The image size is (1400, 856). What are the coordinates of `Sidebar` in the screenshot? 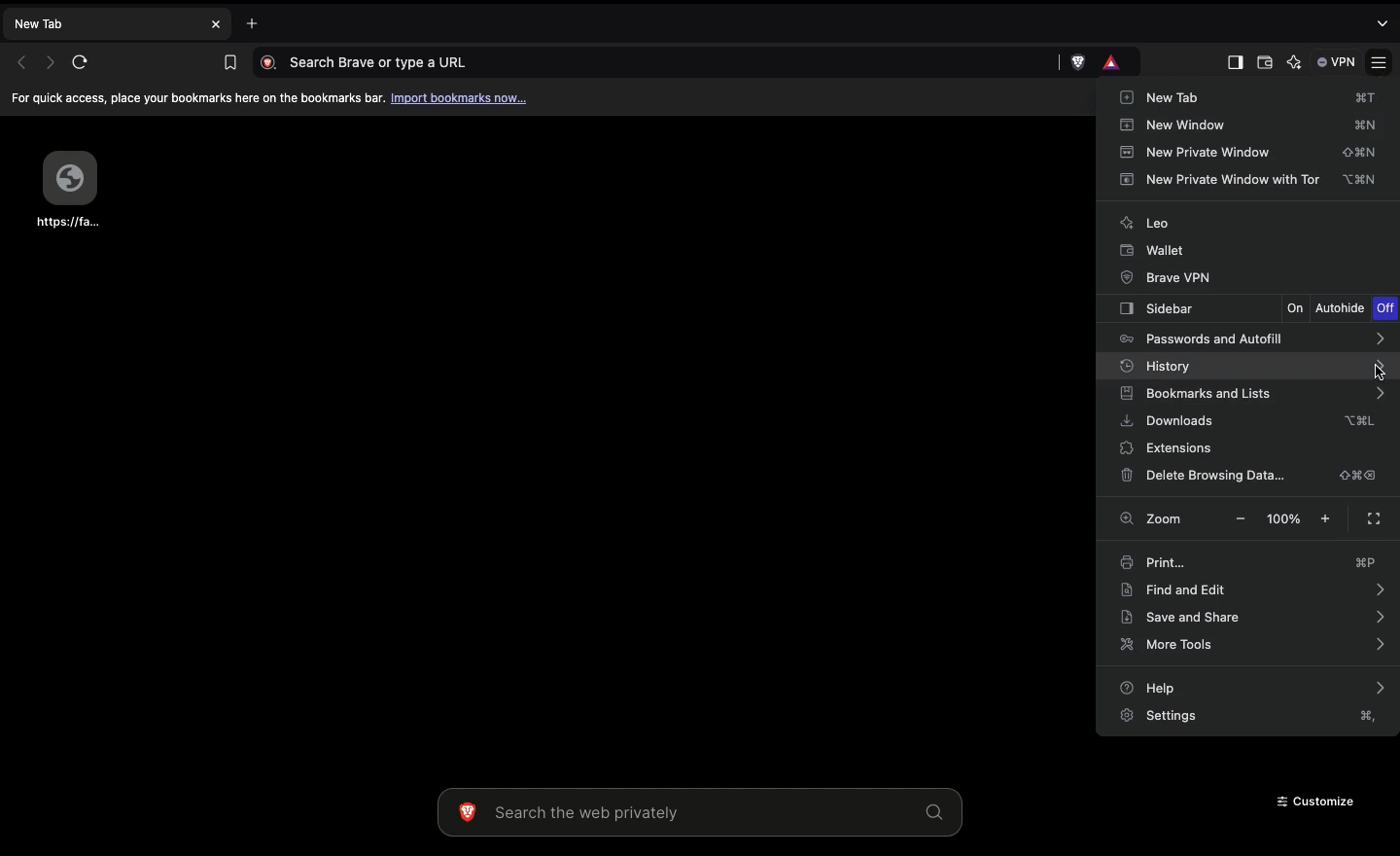 It's located at (1233, 62).